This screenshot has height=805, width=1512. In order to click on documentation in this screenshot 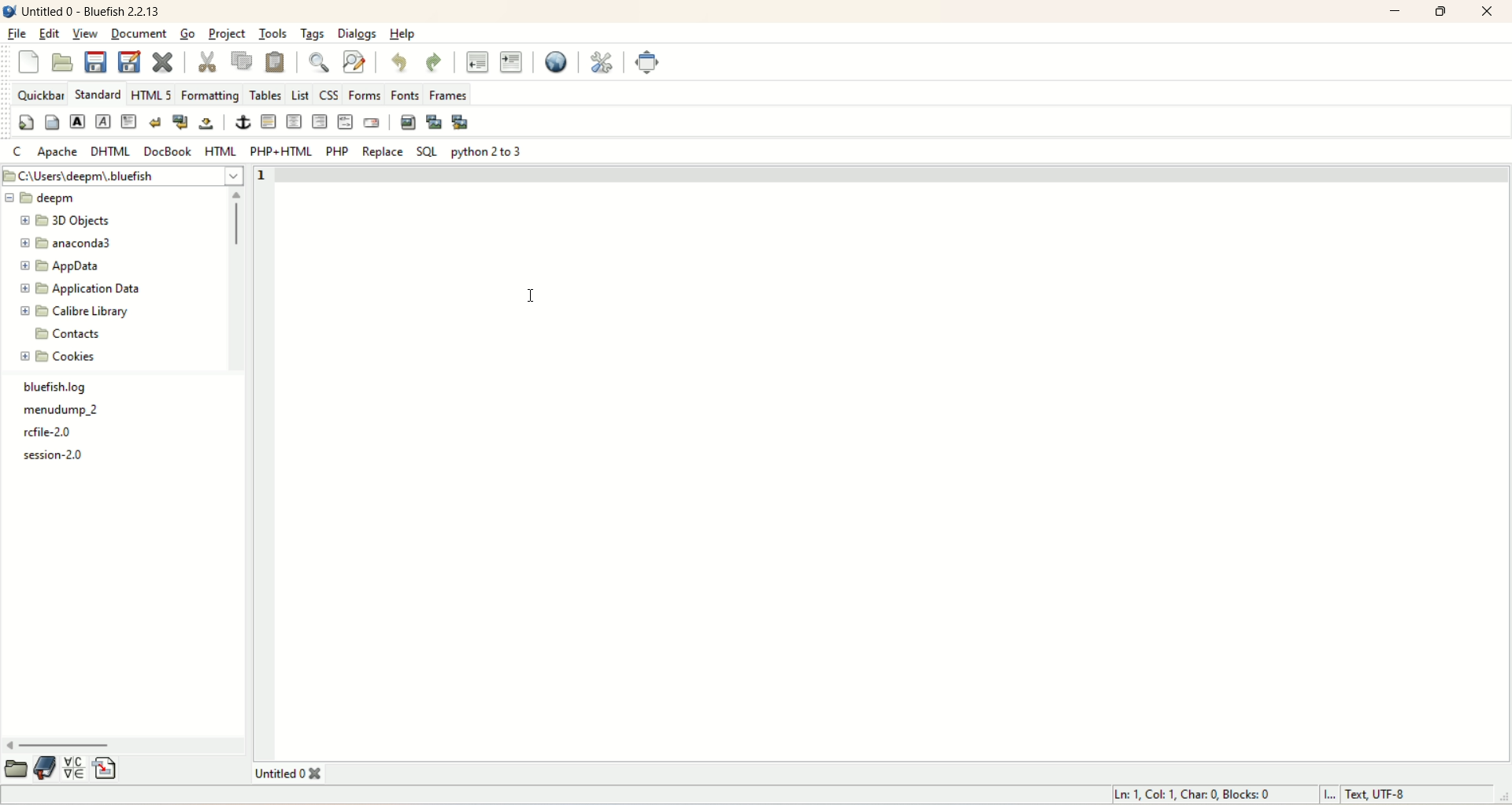, I will do `click(46, 768)`.